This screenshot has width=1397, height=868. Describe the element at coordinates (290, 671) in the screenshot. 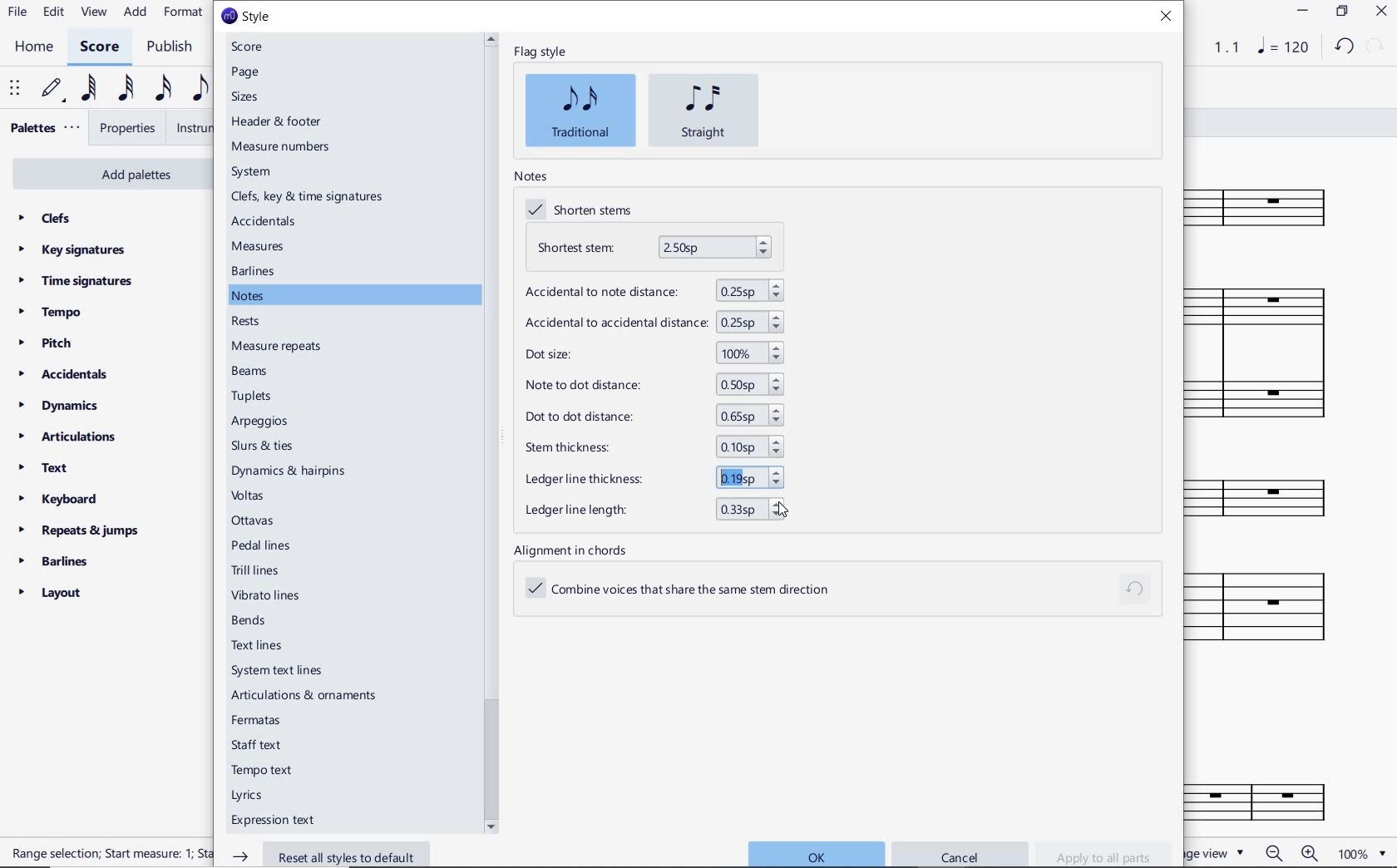

I see `system text lines` at that location.